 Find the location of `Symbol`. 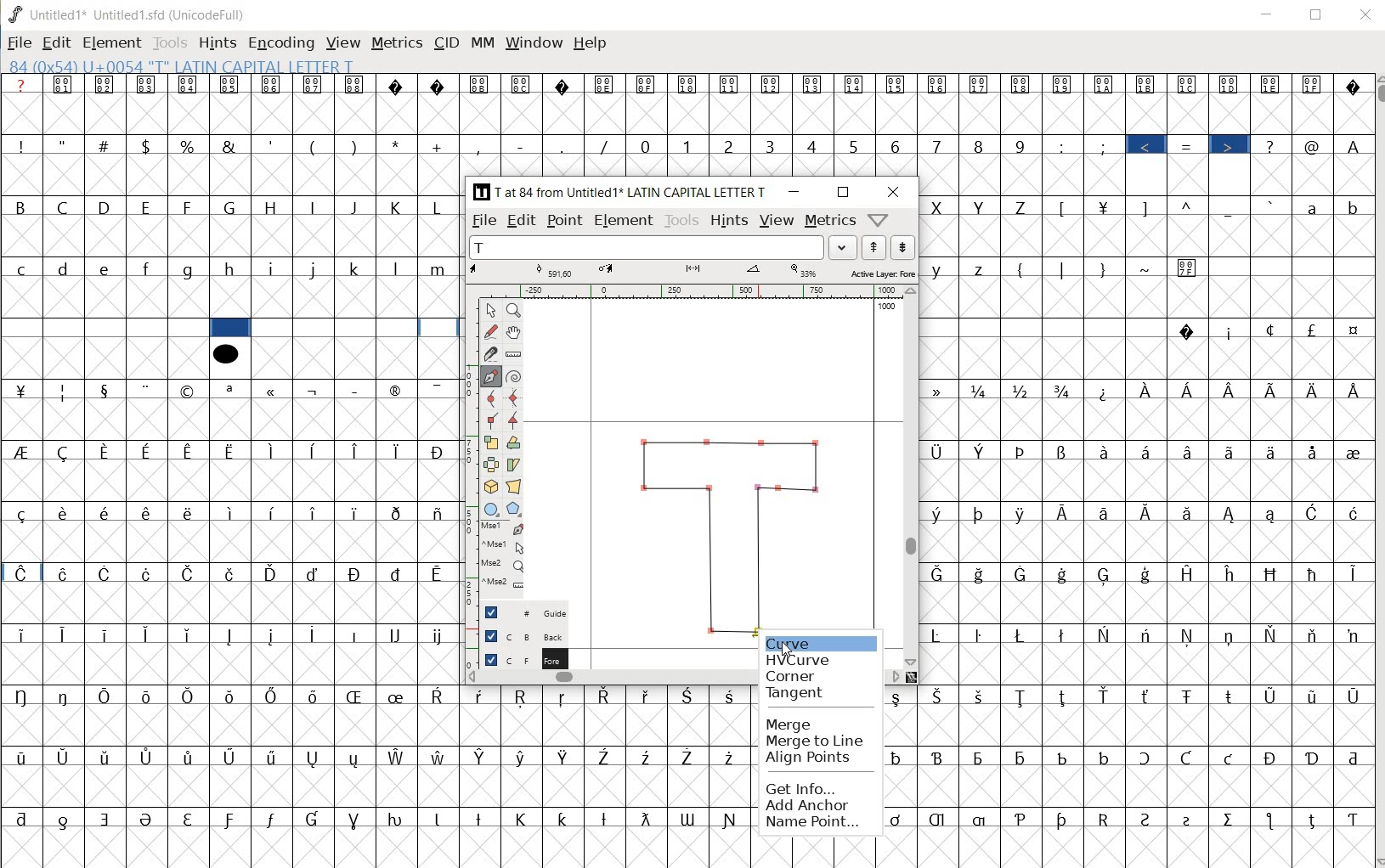

Symbol is located at coordinates (941, 696).